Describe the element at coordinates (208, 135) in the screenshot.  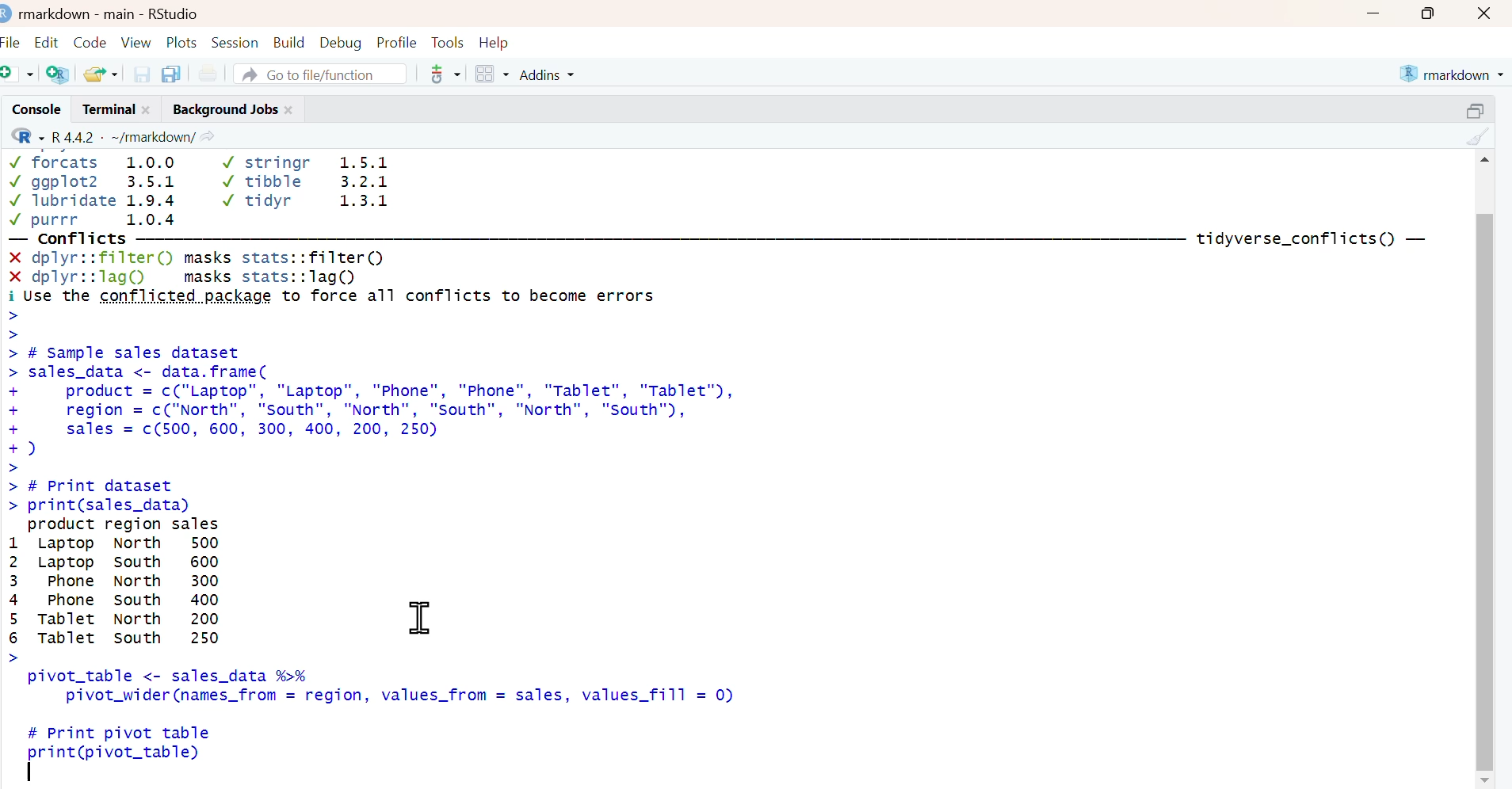
I see `view current working directory` at that location.